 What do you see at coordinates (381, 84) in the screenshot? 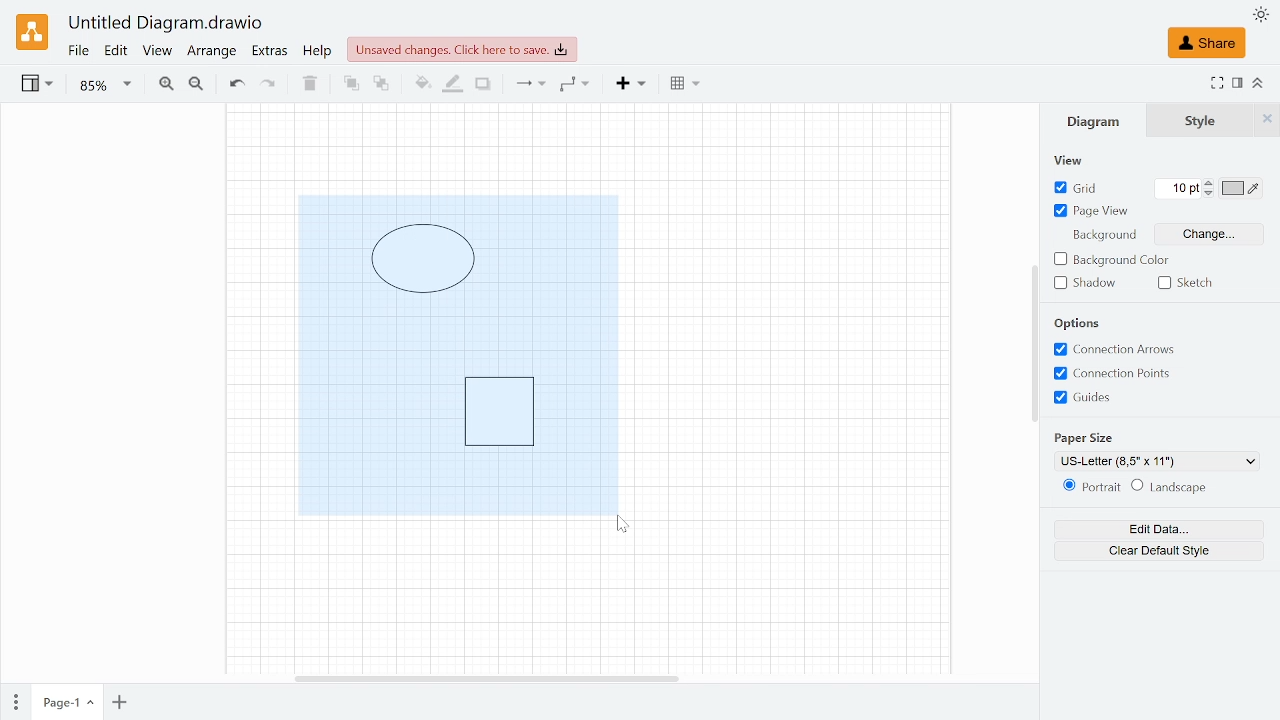
I see `To back` at bounding box center [381, 84].